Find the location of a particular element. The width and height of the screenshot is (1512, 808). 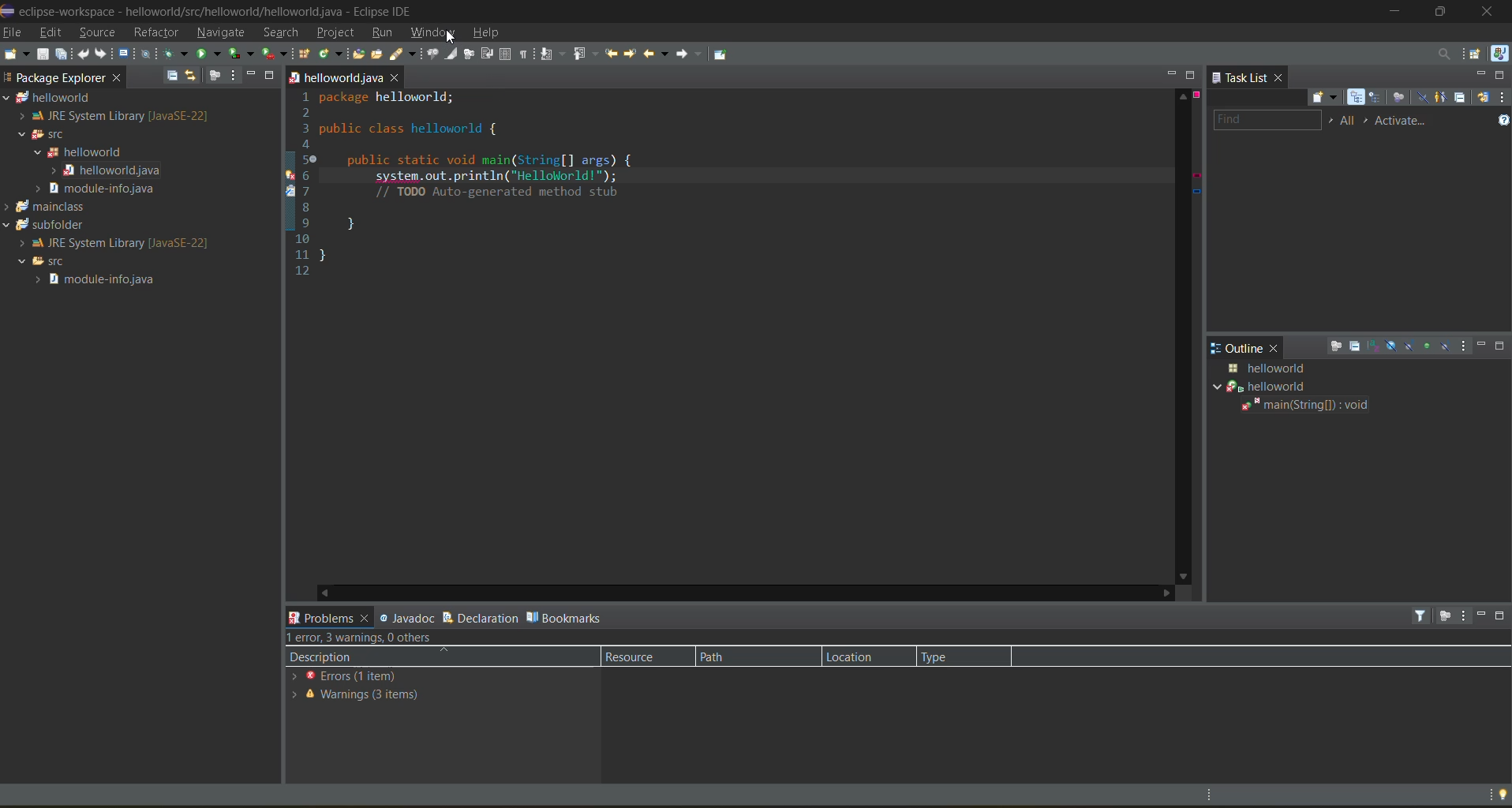

maximize is located at coordinates (270, 76).